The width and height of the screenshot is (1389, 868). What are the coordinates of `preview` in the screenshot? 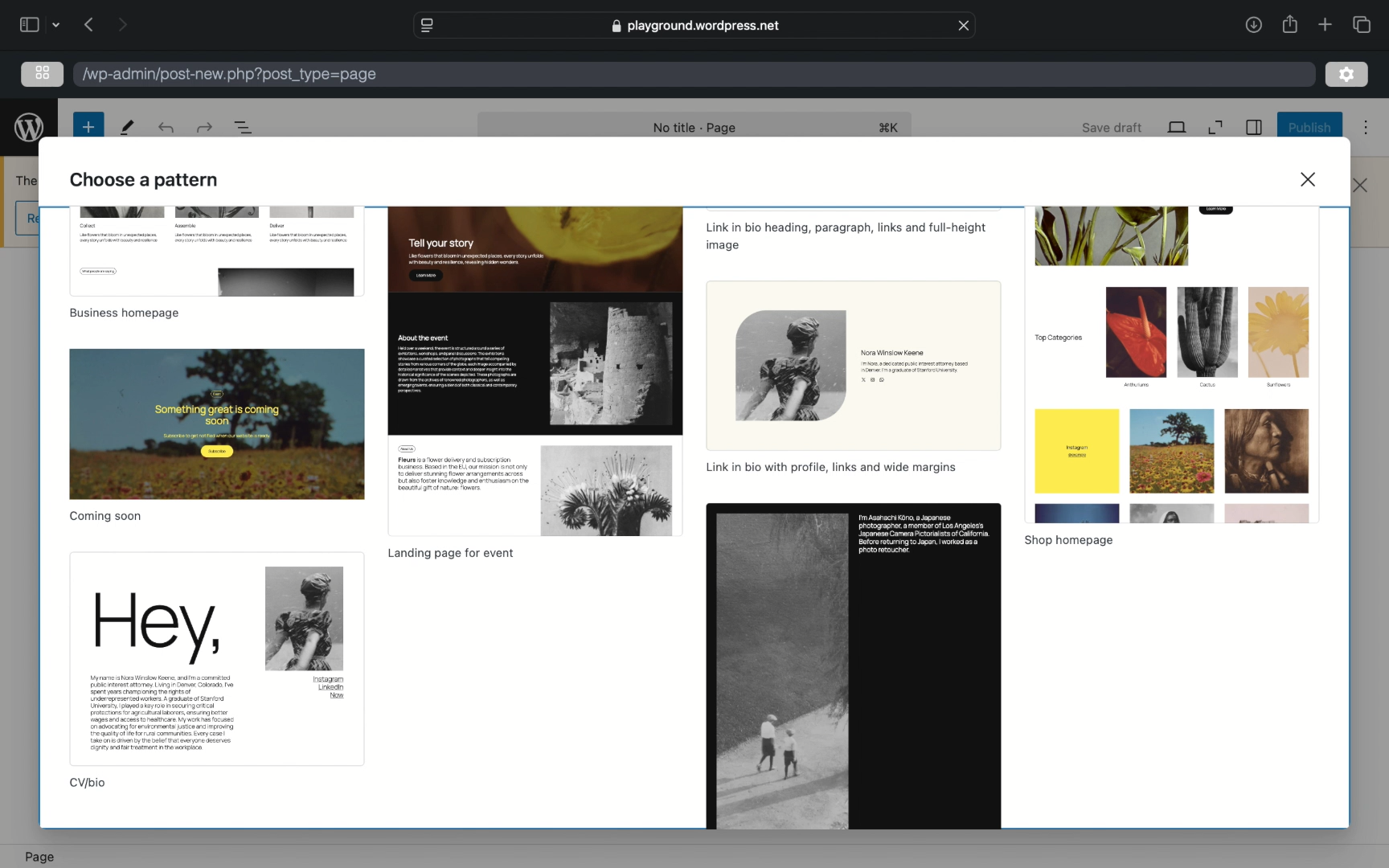 It's located at (1171, 363).